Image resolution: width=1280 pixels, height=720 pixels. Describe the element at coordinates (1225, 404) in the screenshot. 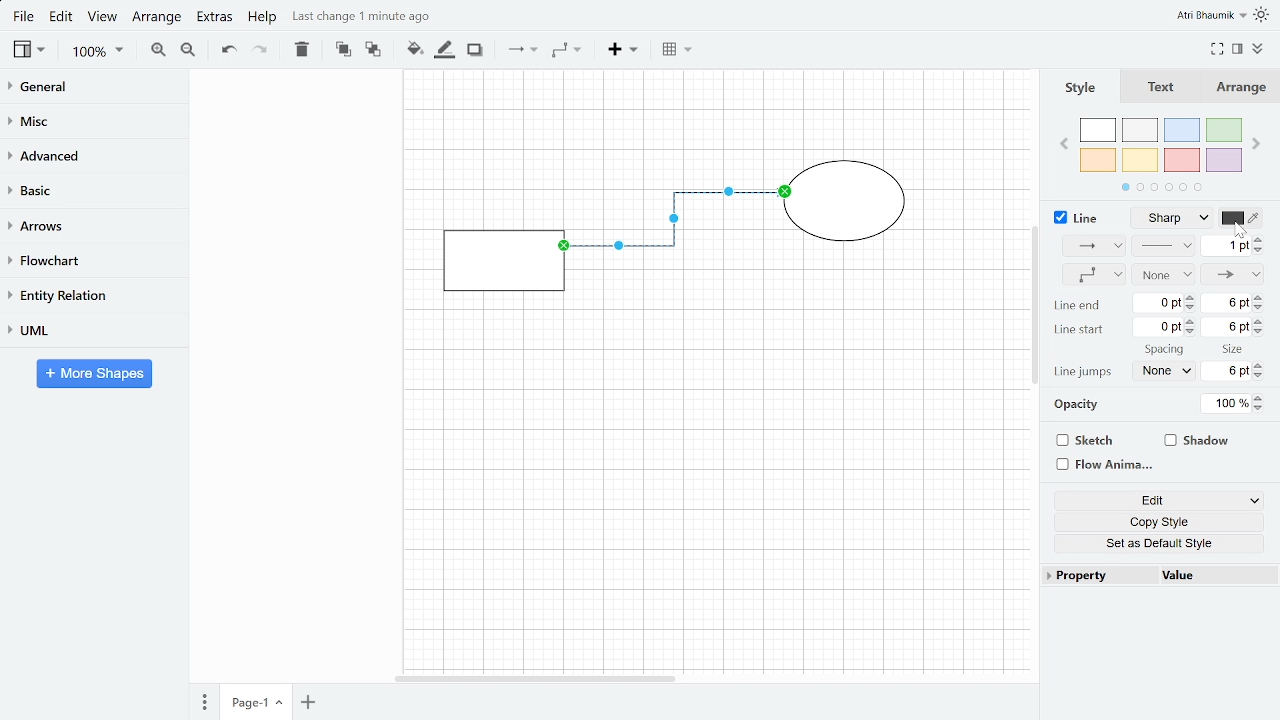

I see `Current opacity` at that location.